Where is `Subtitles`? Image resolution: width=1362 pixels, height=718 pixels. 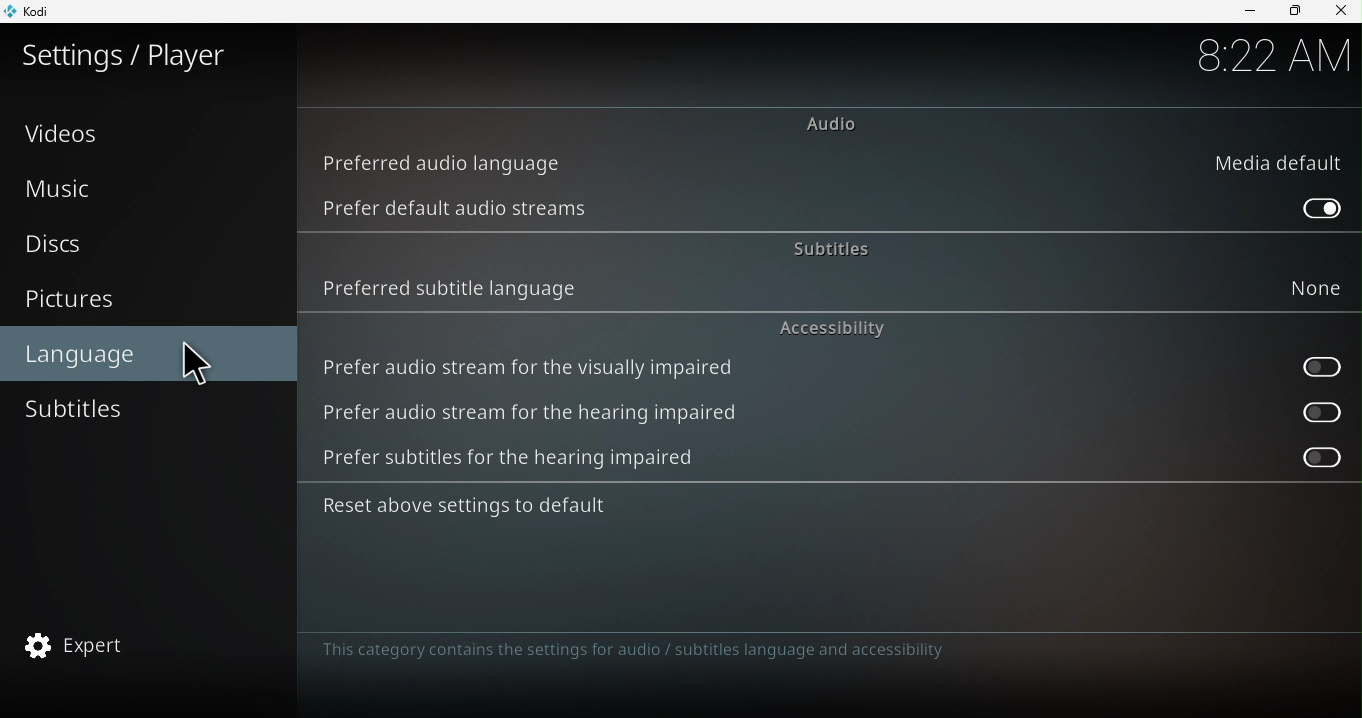 Subtitles is located at coordinates (826, 245).